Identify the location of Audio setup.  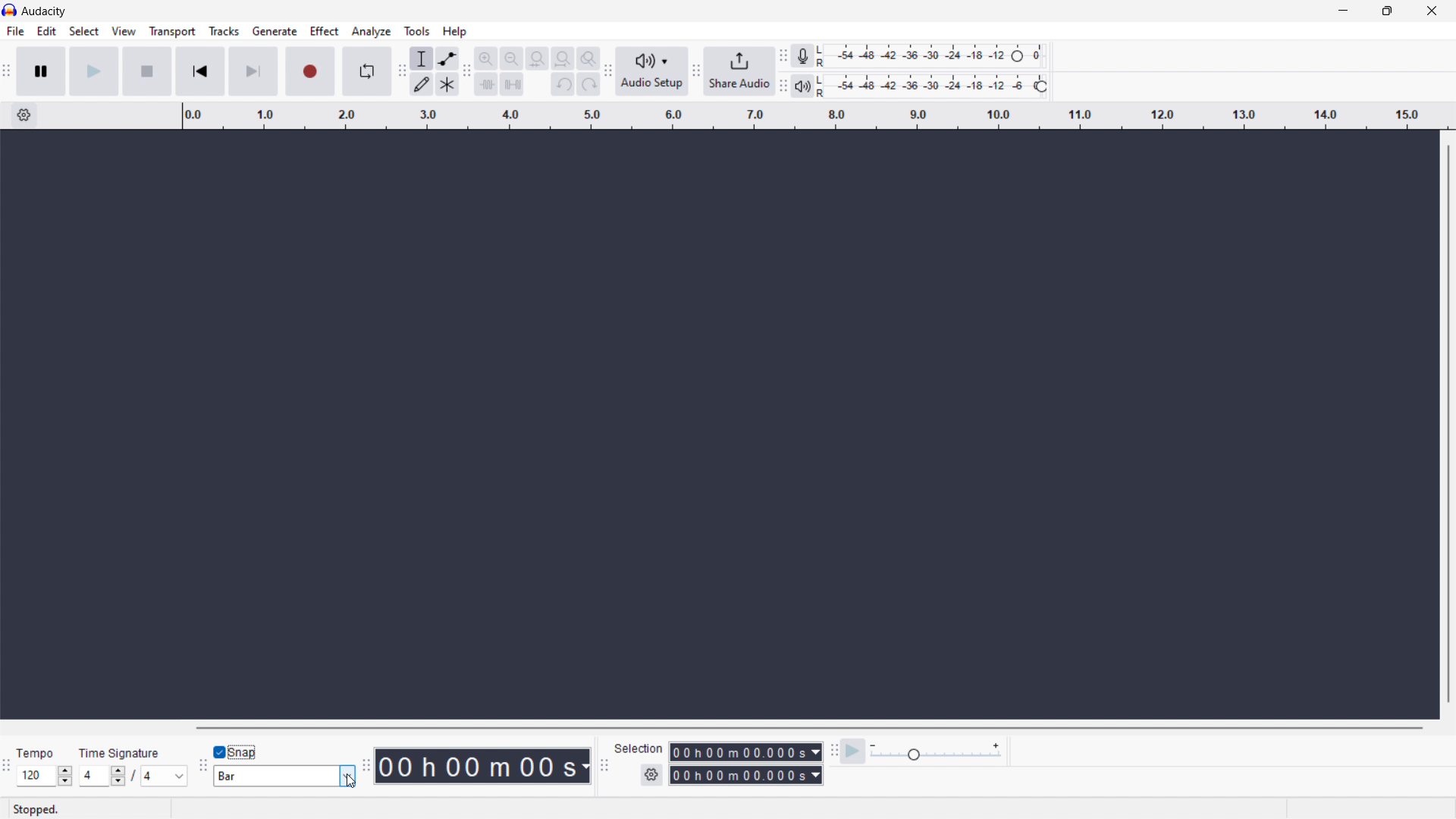
(652, 71).